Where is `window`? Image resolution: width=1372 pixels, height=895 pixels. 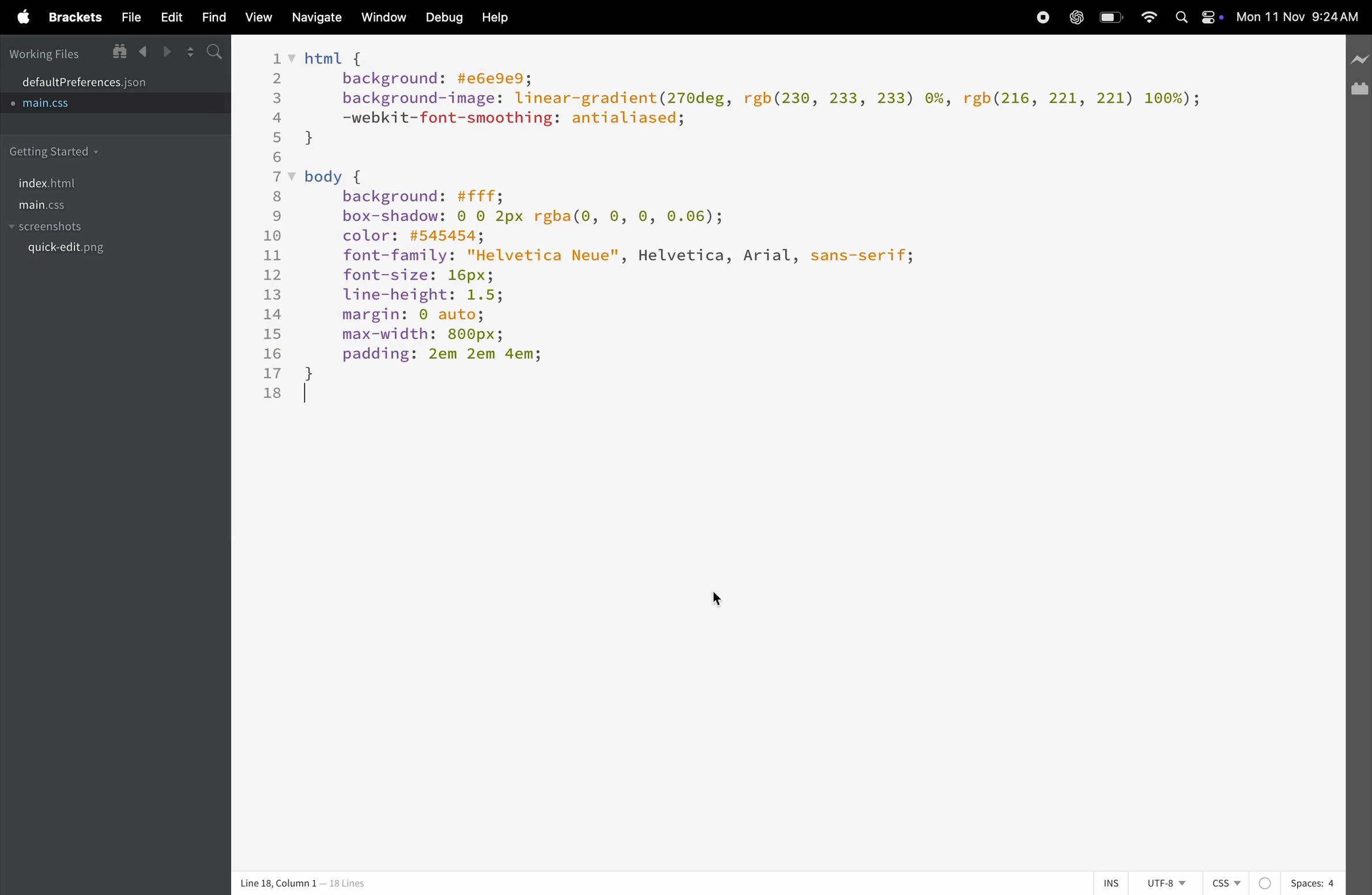 window is located at coordinates (382, 18).